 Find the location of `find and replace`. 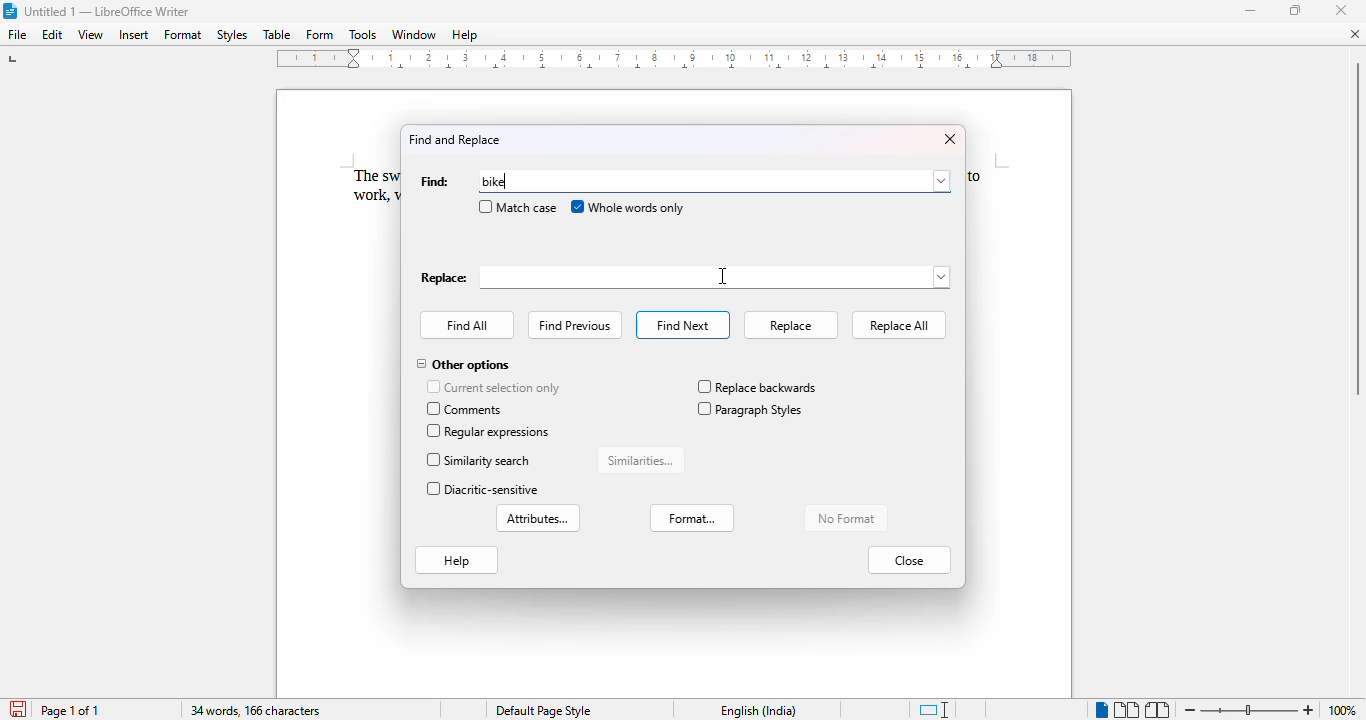

find and replace is located at coordinates (454, 139).